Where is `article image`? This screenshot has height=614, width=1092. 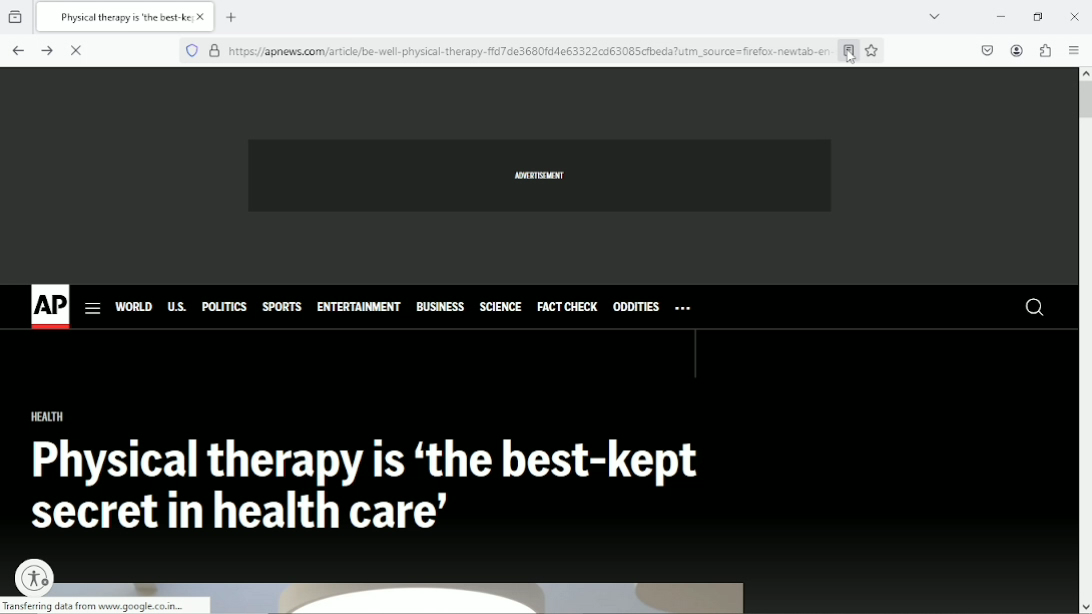 article image is located at coordinates (477, 598).